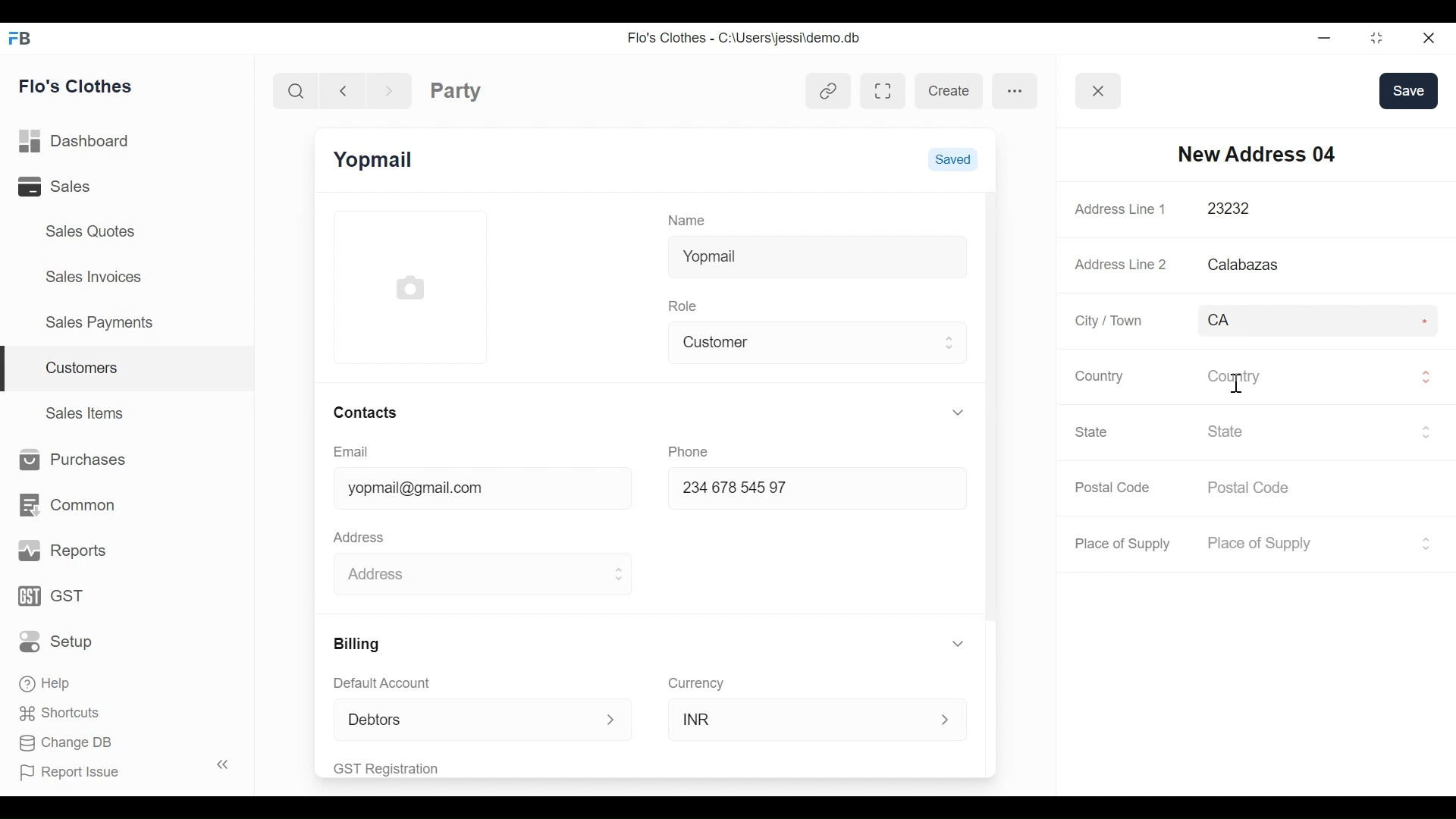 This screenshot has height=819, width=1456. What do you see at coordinates (98, 322) in the screenshot?
I see `Sales Payments` at bounding box center [98, 322].